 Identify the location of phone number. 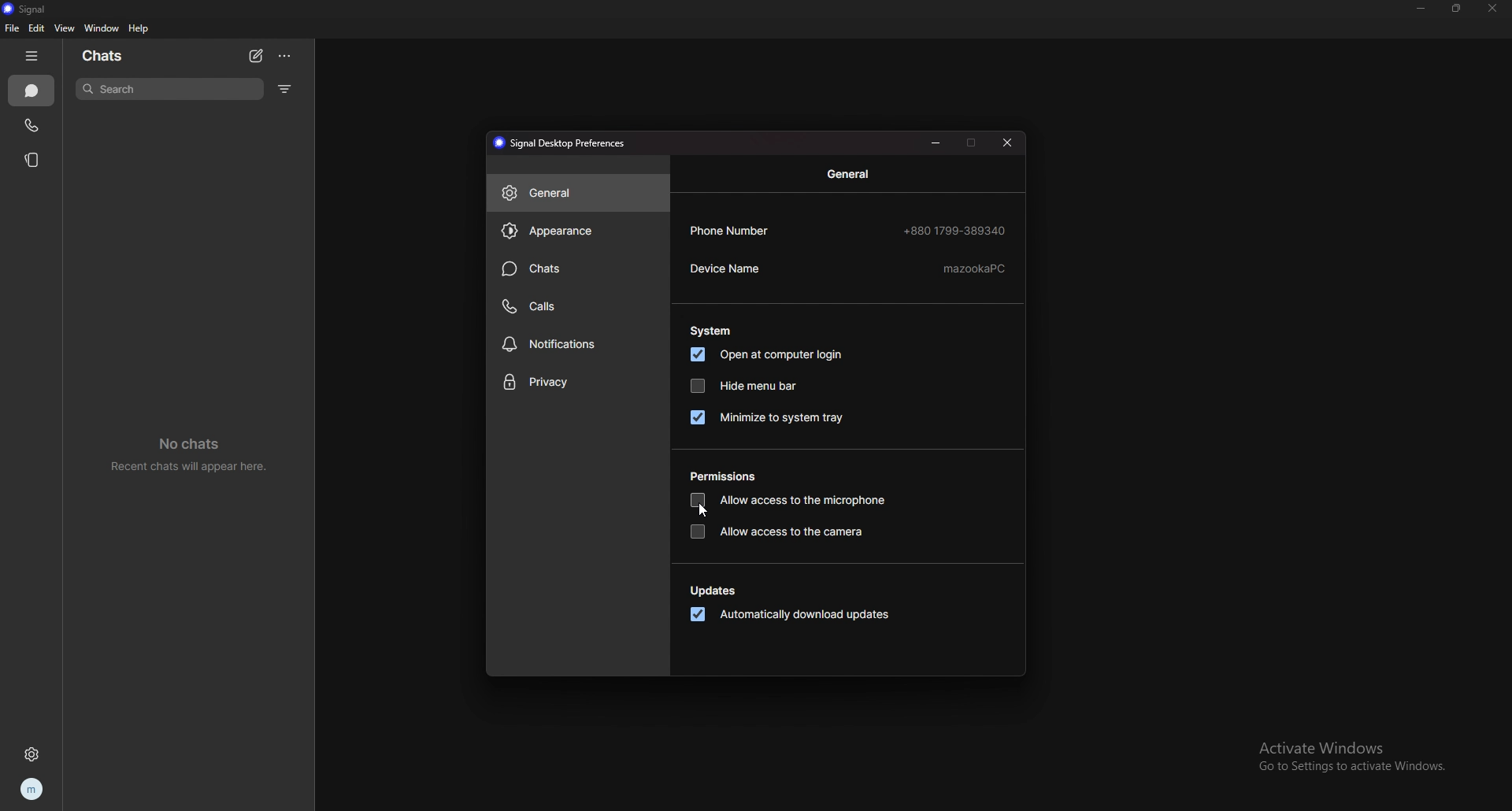
(851, 231).